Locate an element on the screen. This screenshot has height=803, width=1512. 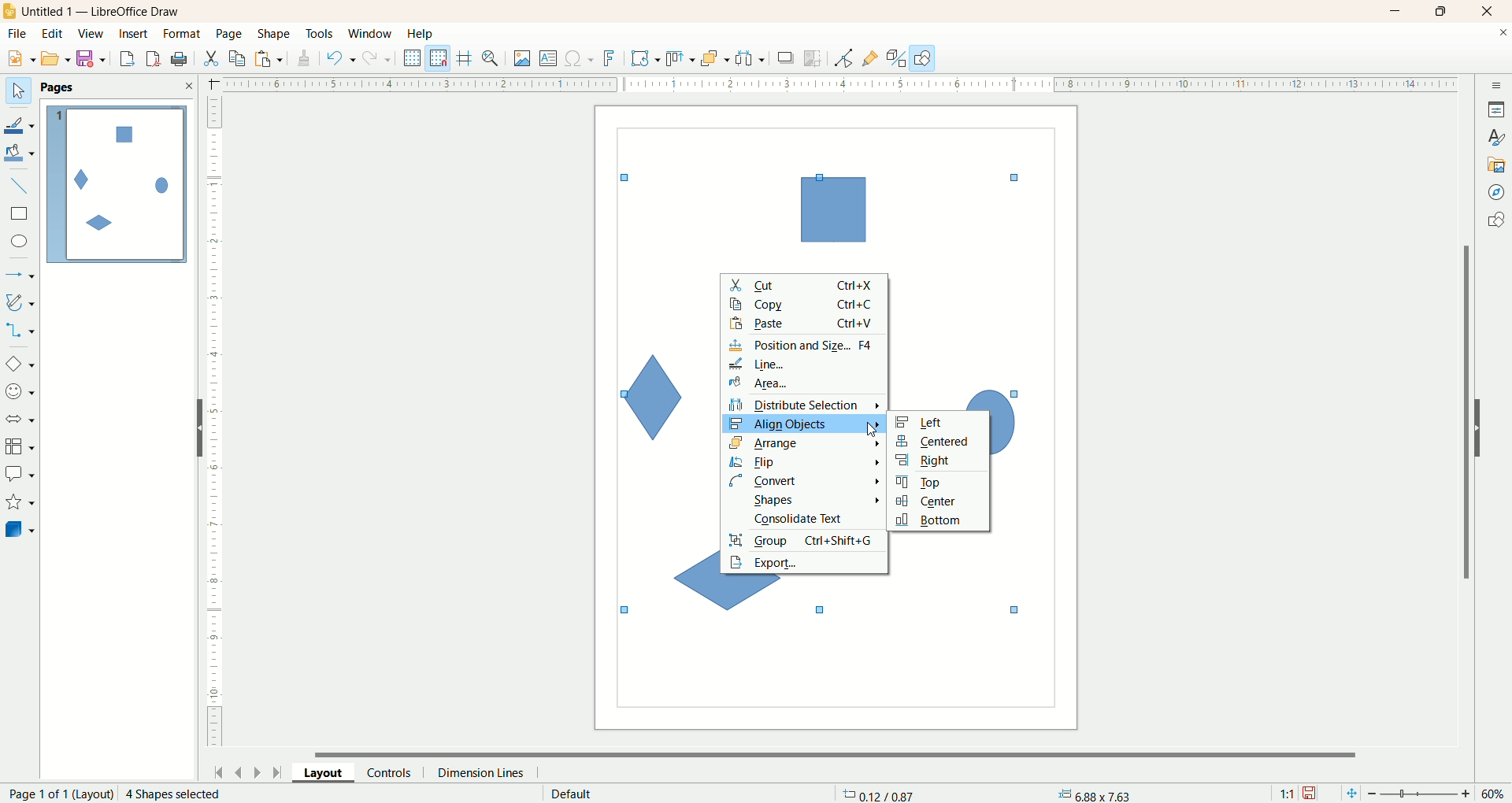
crop image is located at coordinates (813, 58).